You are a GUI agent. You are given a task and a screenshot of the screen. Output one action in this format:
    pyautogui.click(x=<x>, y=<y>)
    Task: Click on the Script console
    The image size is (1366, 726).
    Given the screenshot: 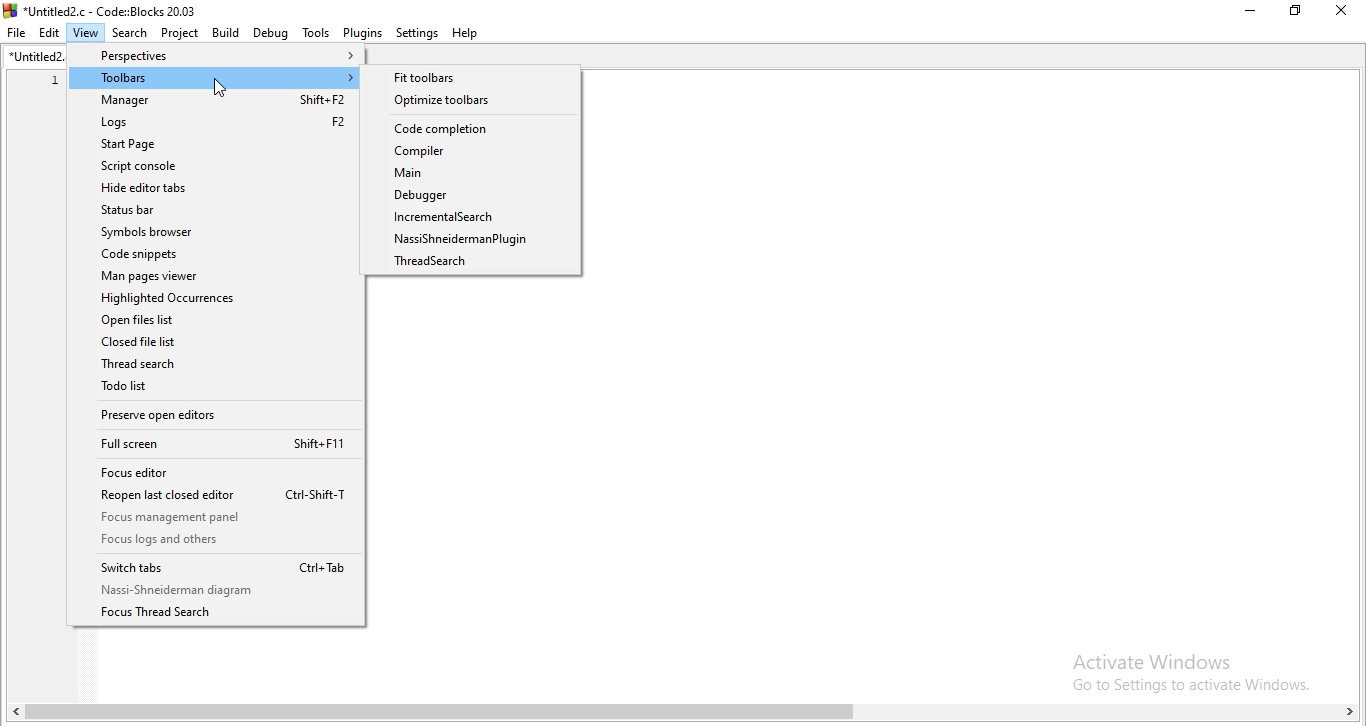 What is the action you would take?
    pyautogui.click(x=207, y=166)
    